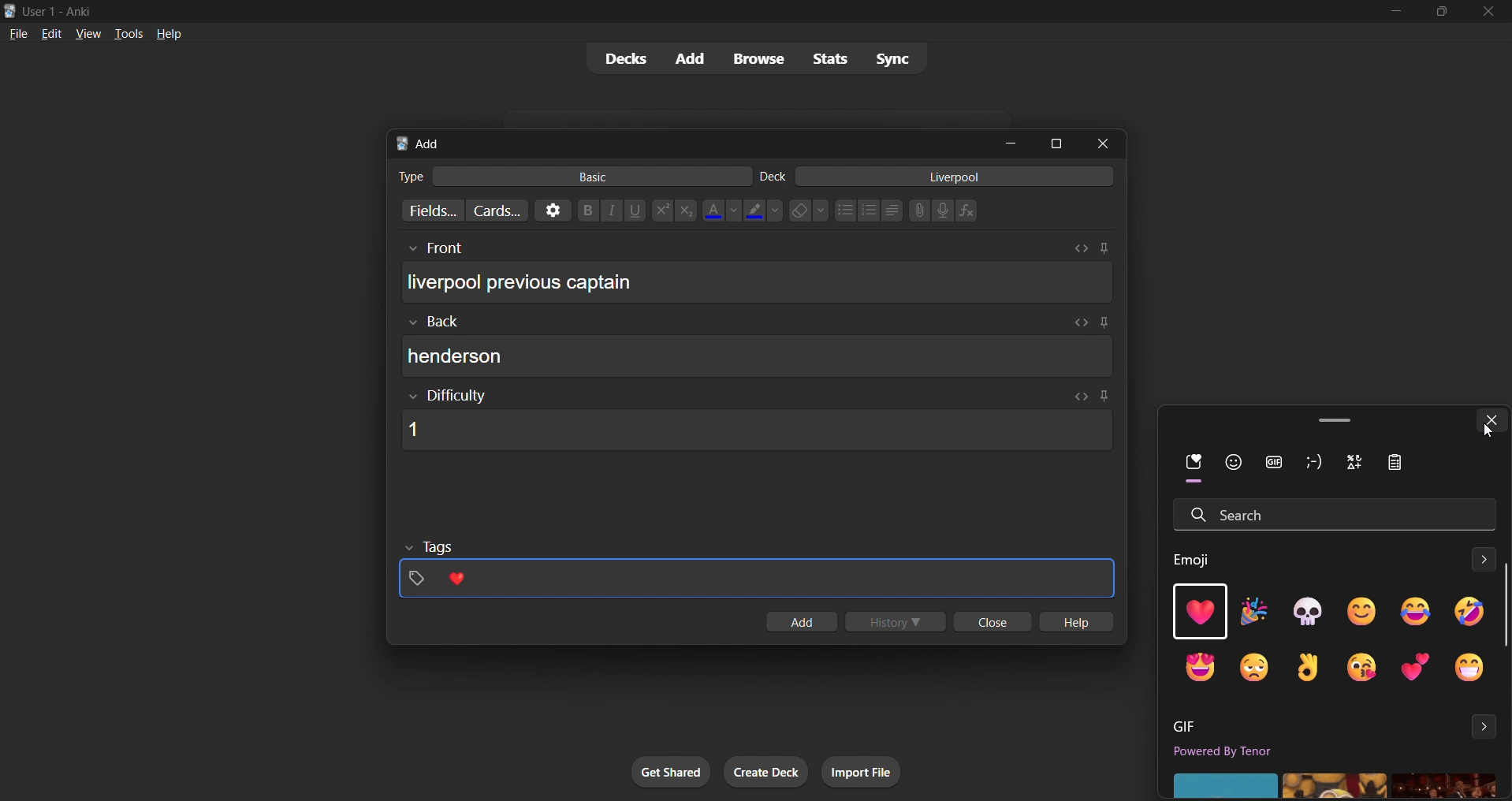  I want to click on search emoji, so click(1331, 512).